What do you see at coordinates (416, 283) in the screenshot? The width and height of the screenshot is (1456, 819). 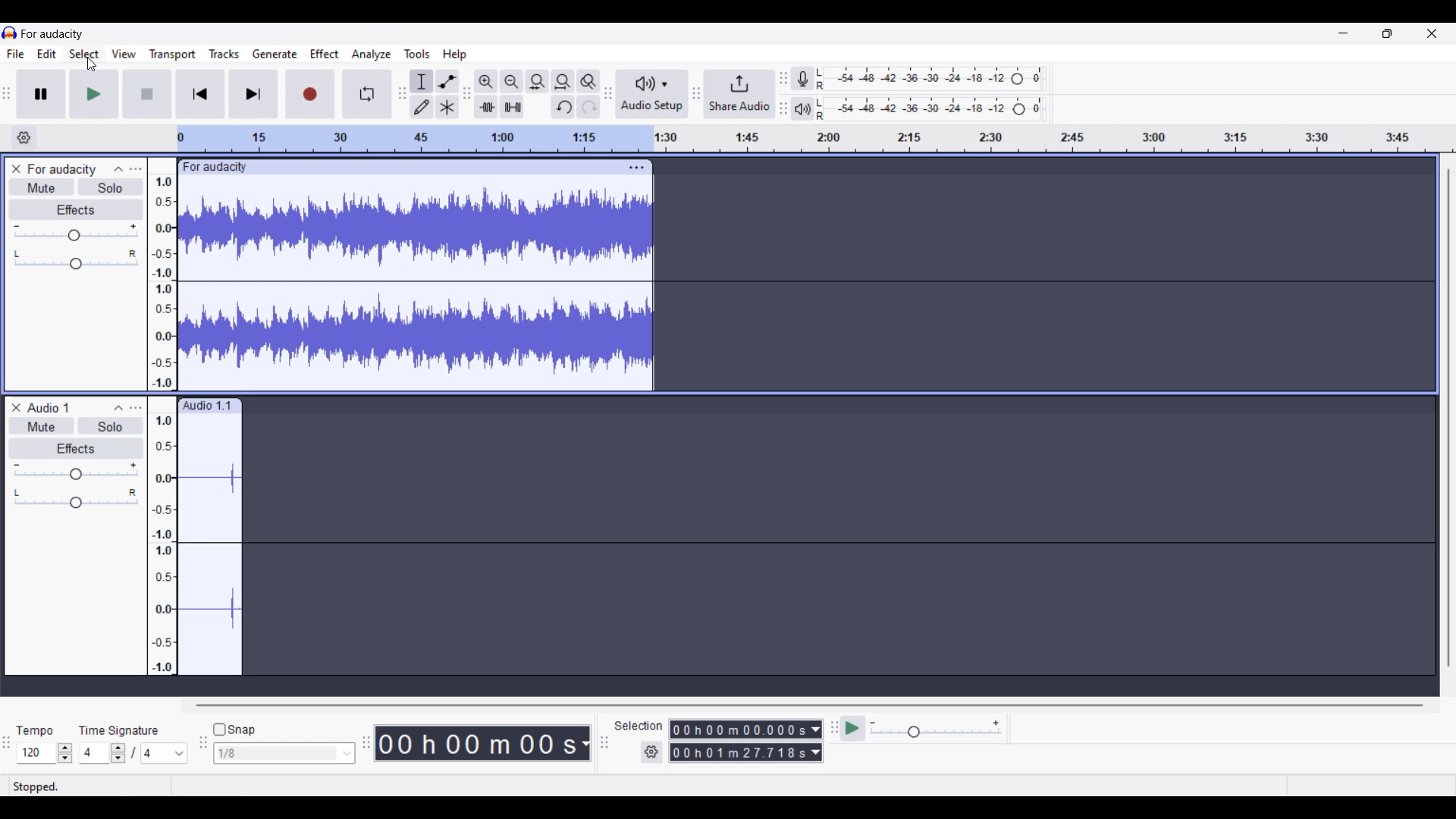 I see `track waveform` at bounding box center [416, 283].